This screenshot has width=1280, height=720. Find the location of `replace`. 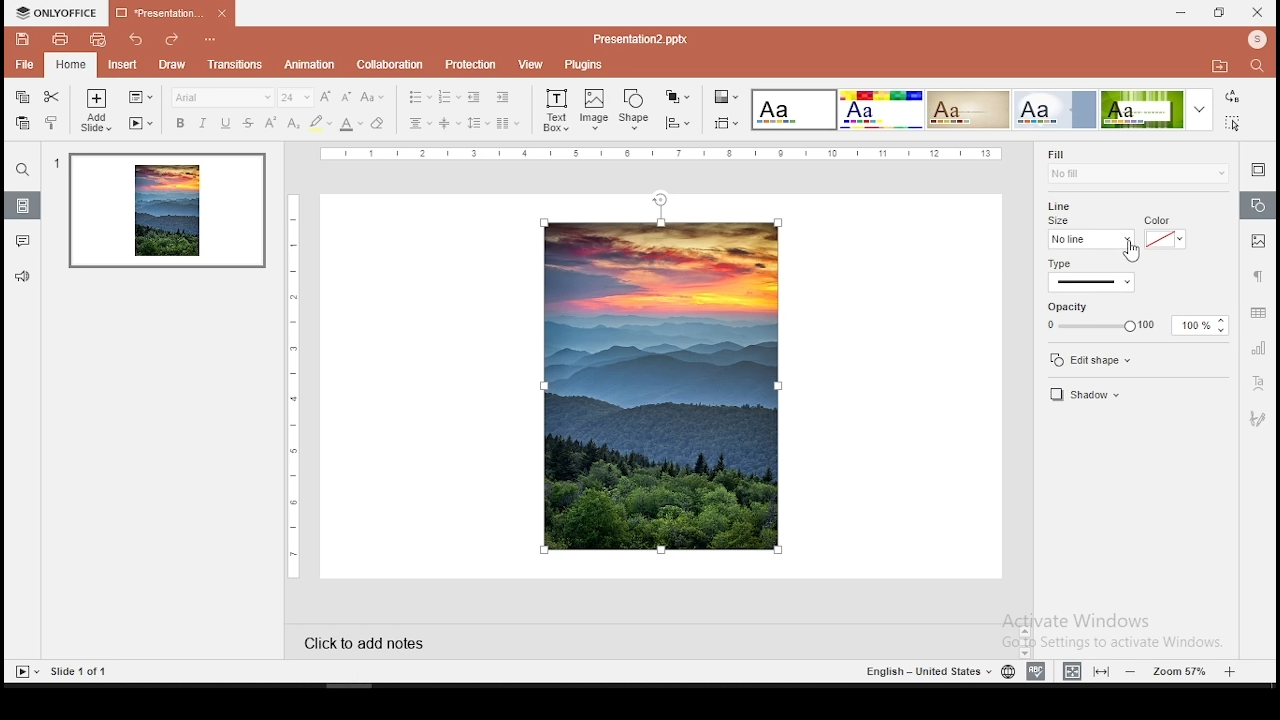

replace is located at coordinates (1232, 97).